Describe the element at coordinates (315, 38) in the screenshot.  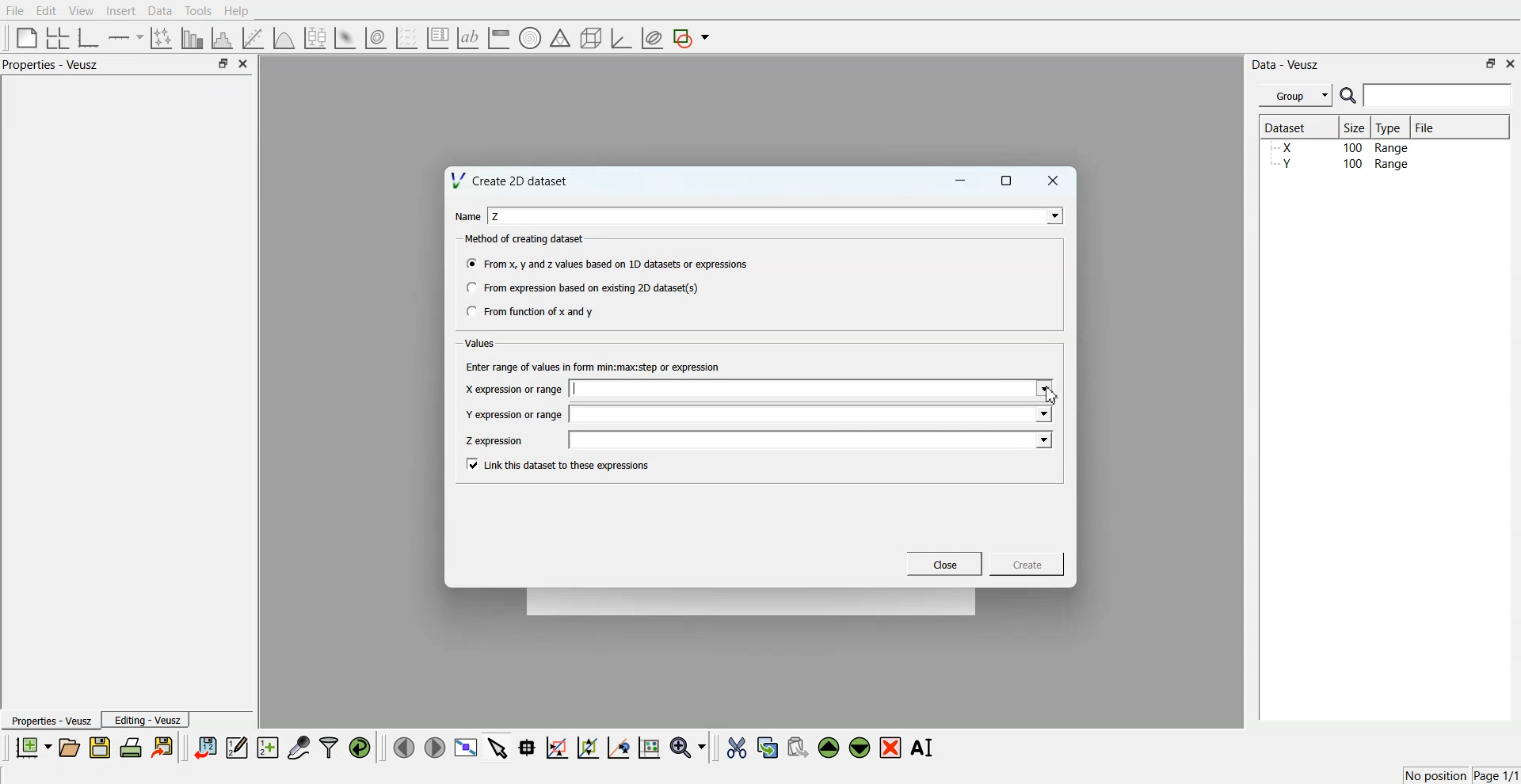
I see `Plot box plots` at that location.